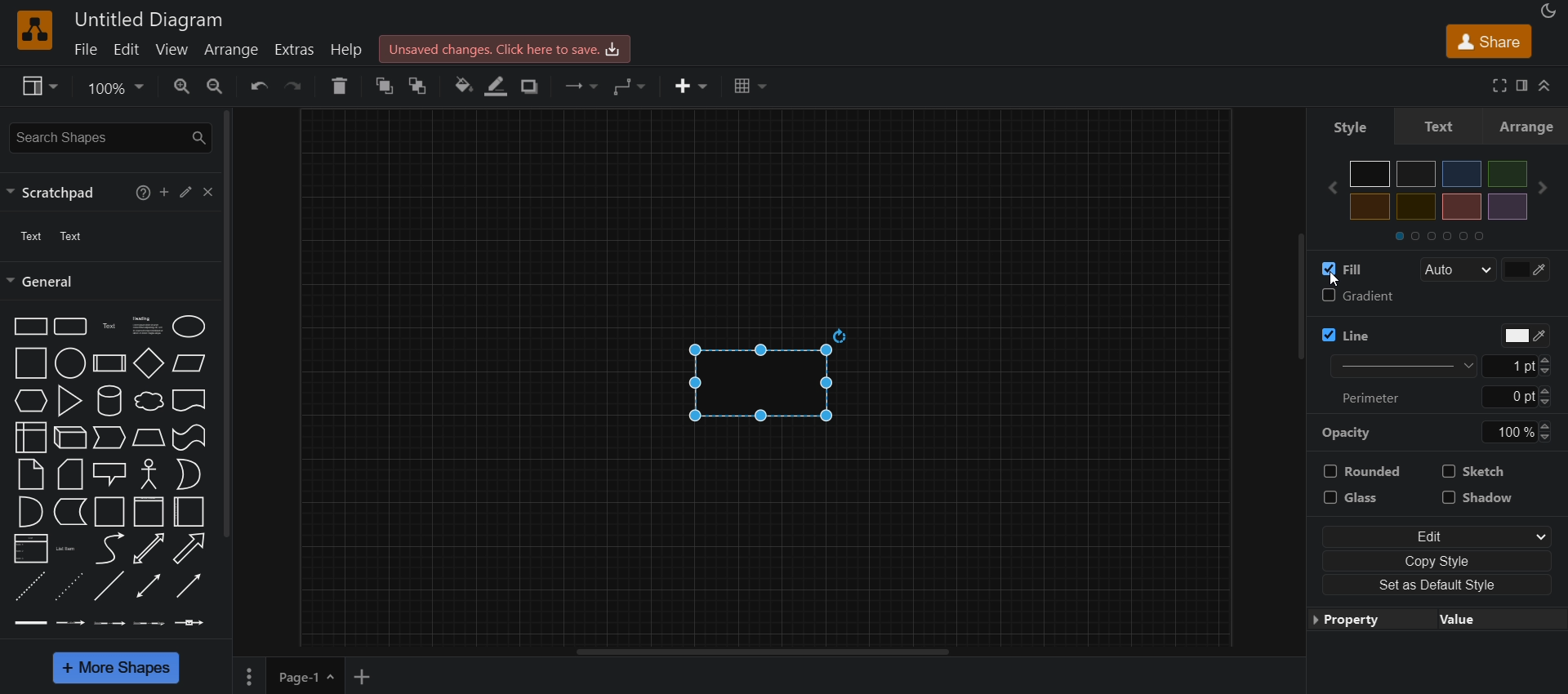 The height and width of the screenshot is (694, 1568). What do you see at coordinates (1405, 367) in the screenshot?
I see `line style` at bounding box center [1405, 367].